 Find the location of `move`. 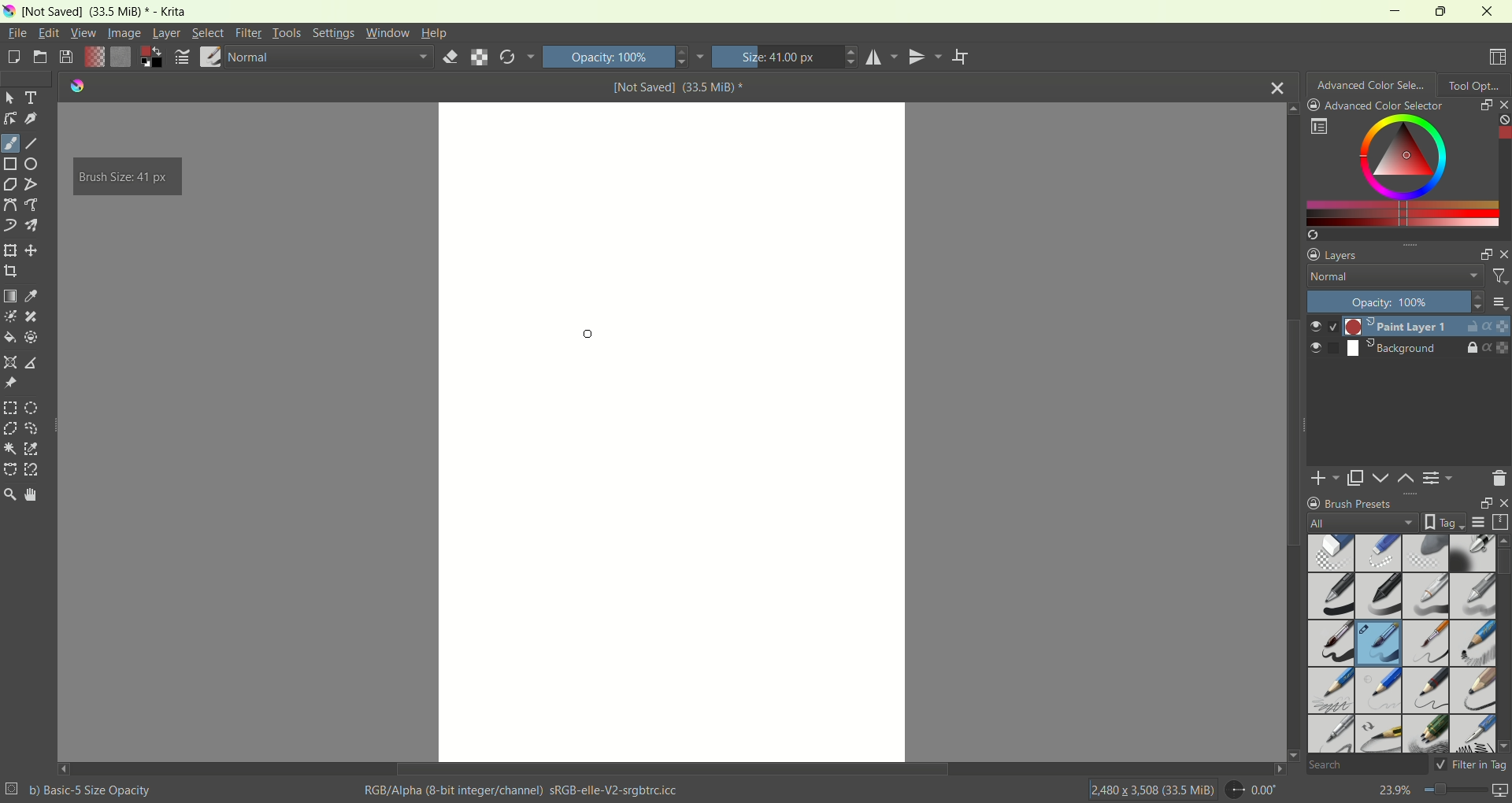

move is located at coordinates (31, 250).